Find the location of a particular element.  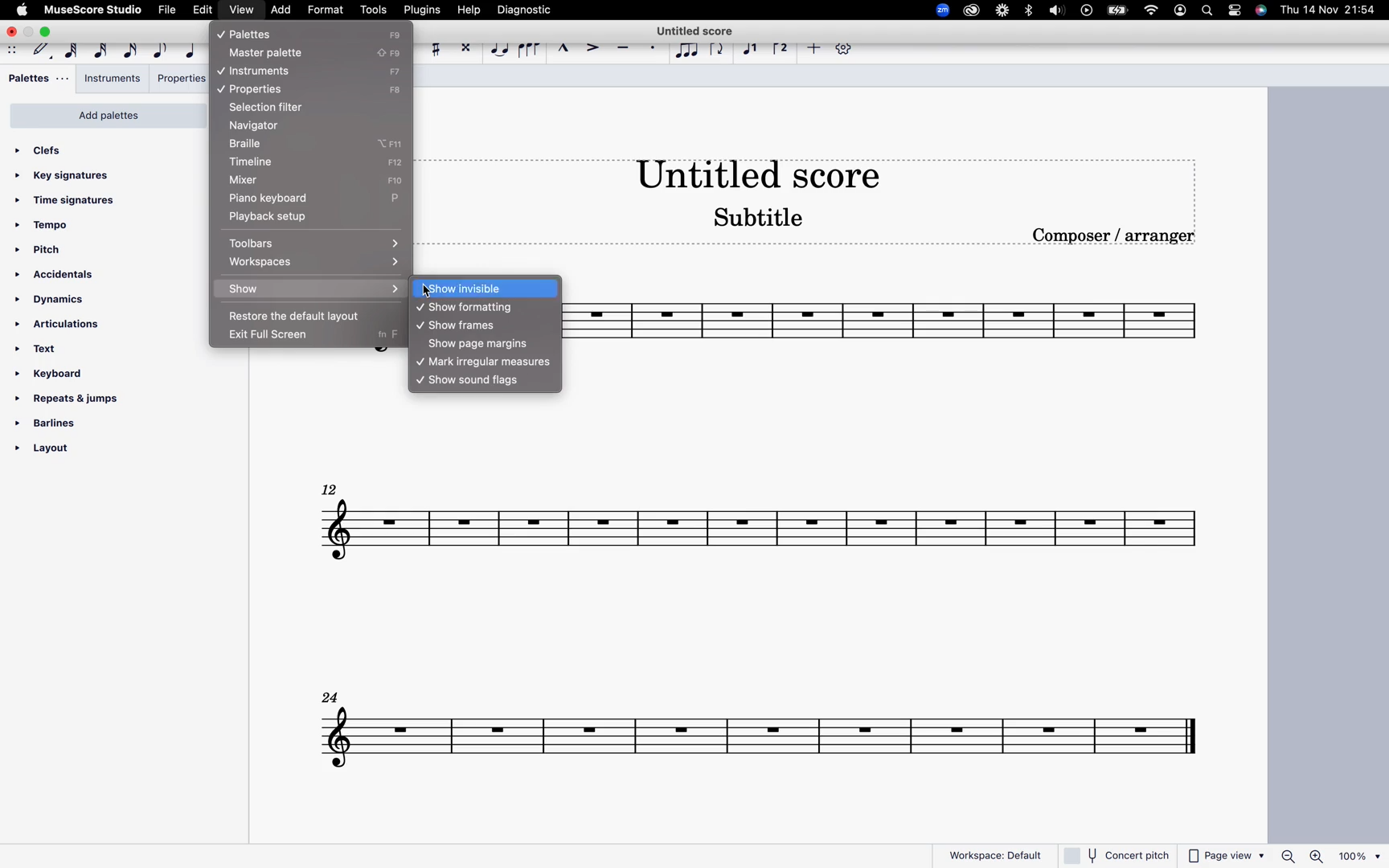

sound is located at coordinates (1055, 12).